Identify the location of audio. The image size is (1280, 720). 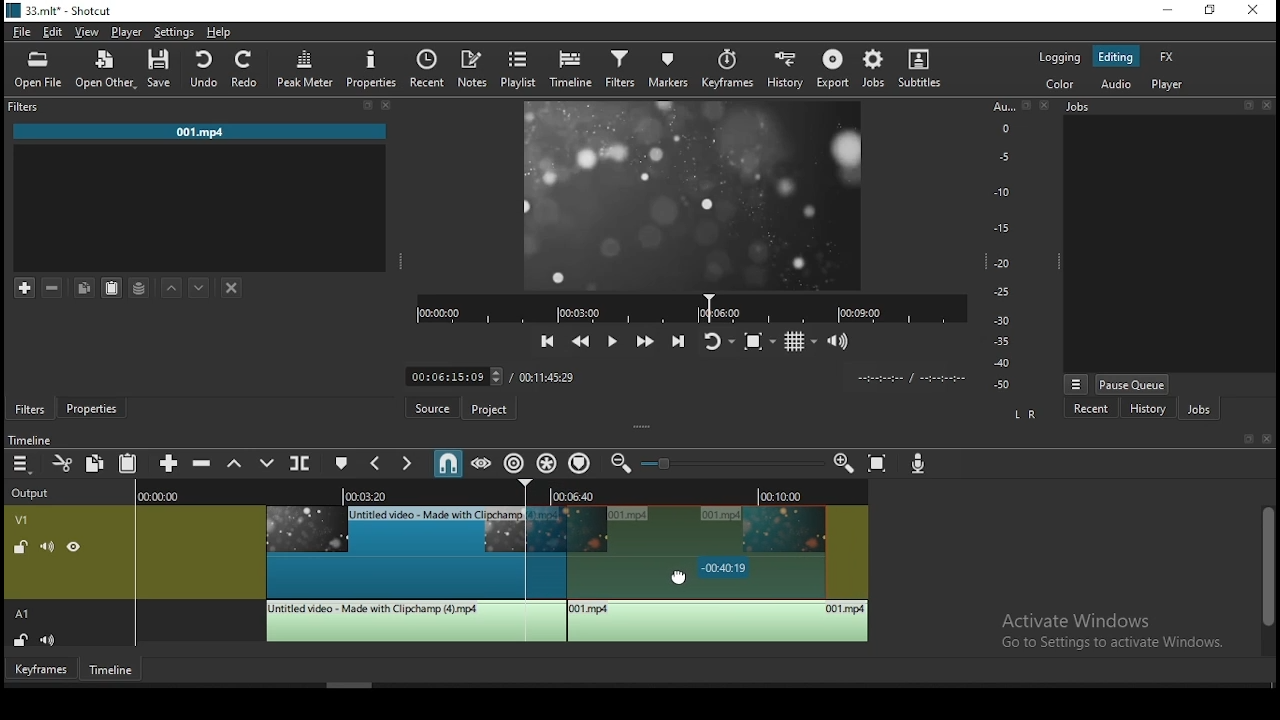
(1115, 86).